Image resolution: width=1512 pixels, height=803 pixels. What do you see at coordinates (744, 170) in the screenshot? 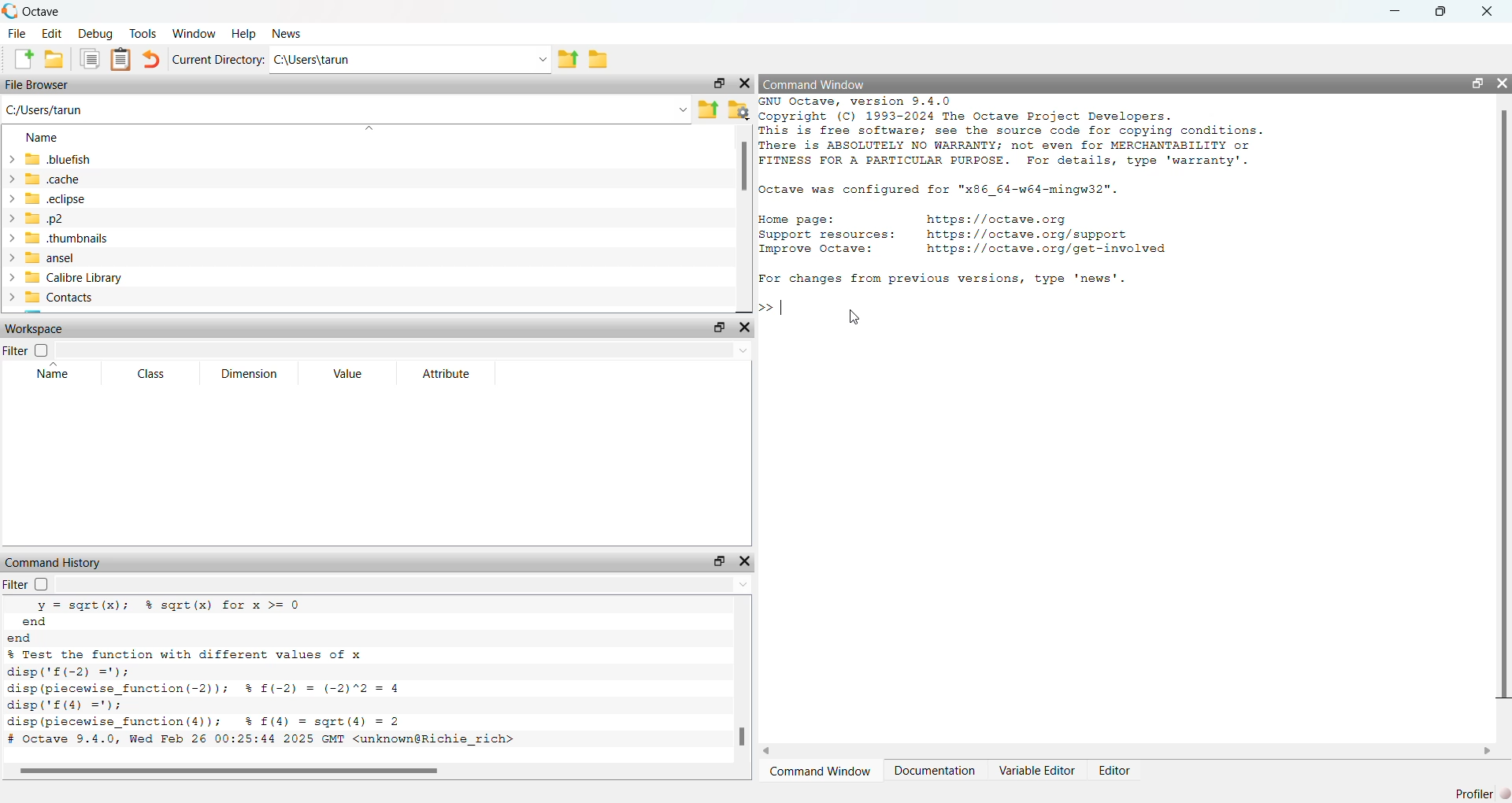
I see `Scrollbar` at bounding box center [744, 170].